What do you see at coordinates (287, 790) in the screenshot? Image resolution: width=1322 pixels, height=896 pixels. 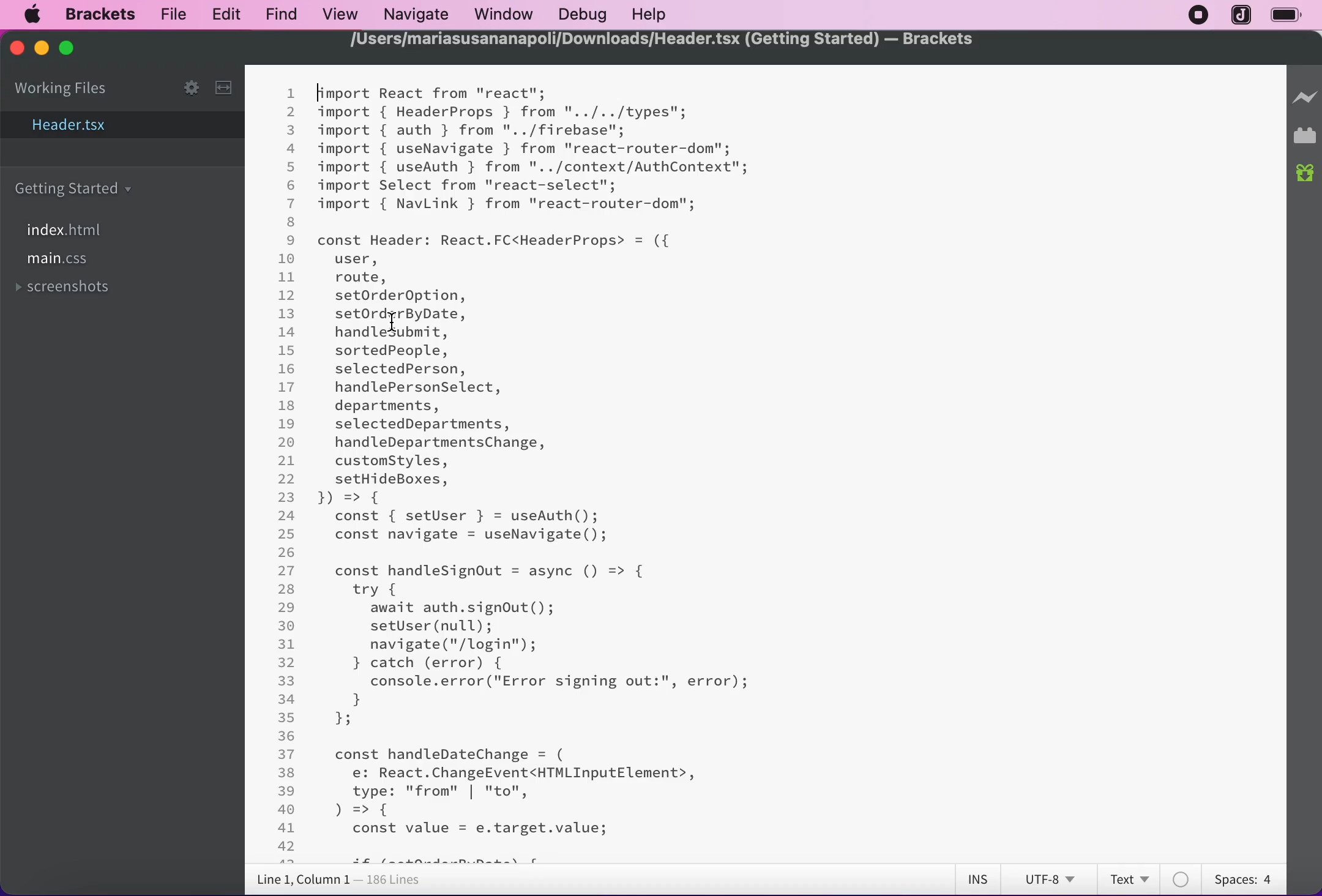 I see `39` at bounding box center [287, 790].